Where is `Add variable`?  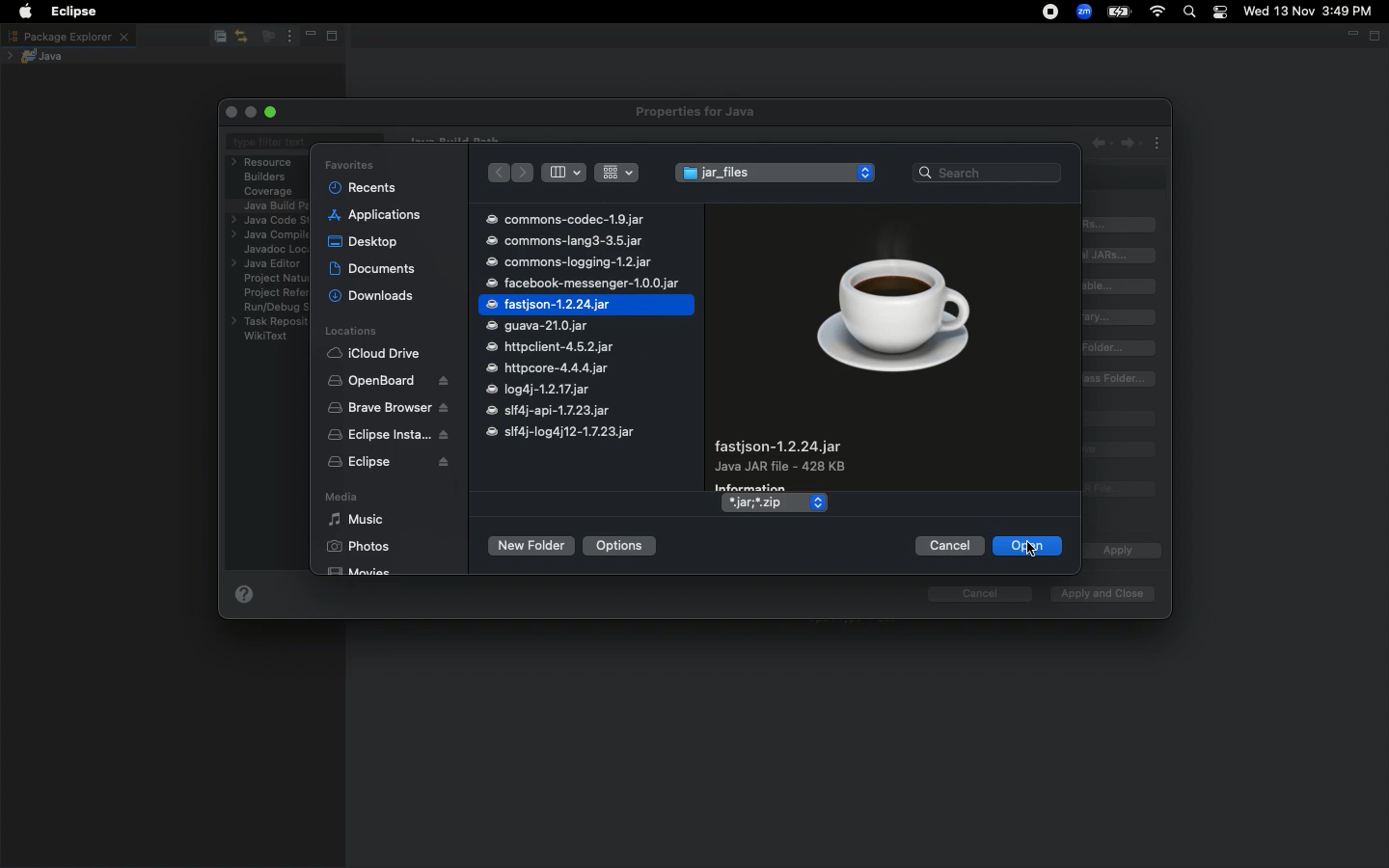
Add variable is located at coordinates (1123, 286).